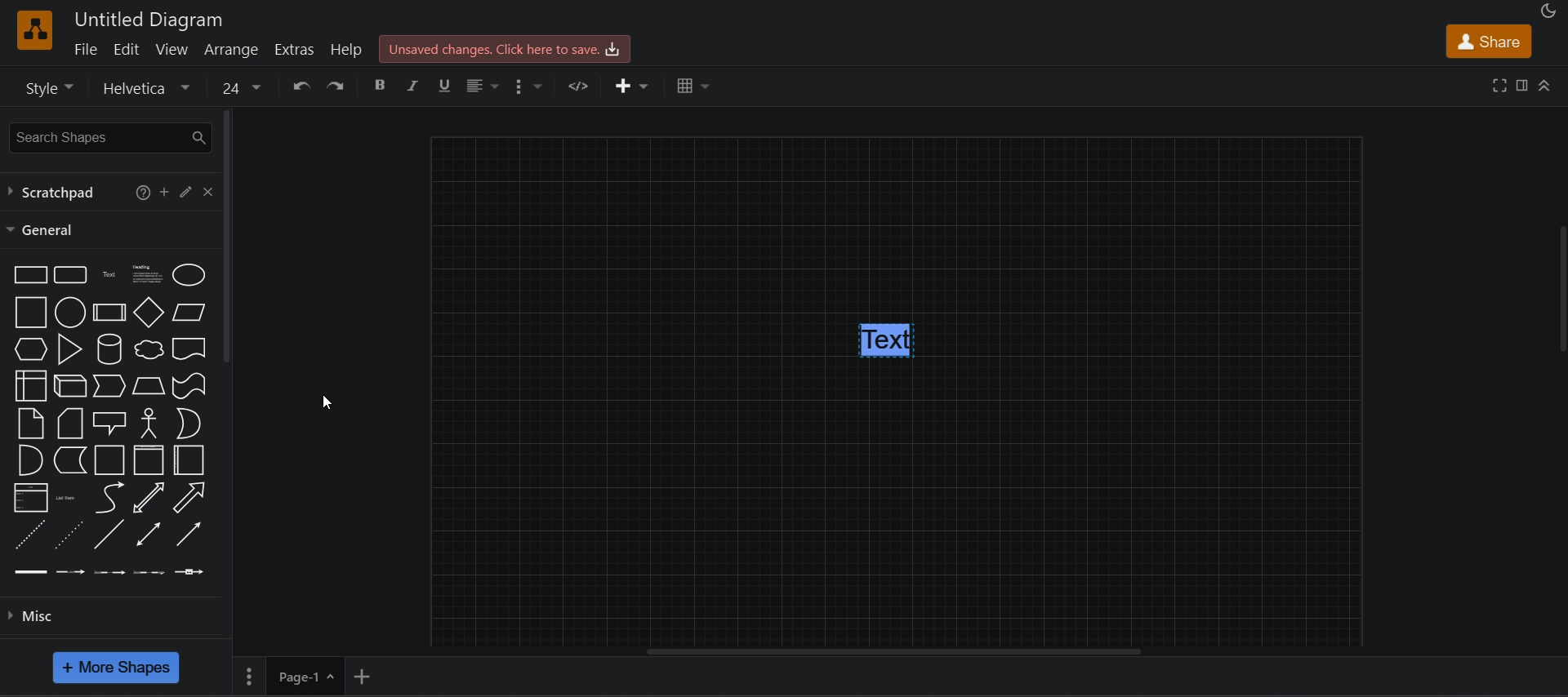  What do you see at coordinates (296, 50) in the screenshot?
I see `extras` at bounding box center [296, 50].